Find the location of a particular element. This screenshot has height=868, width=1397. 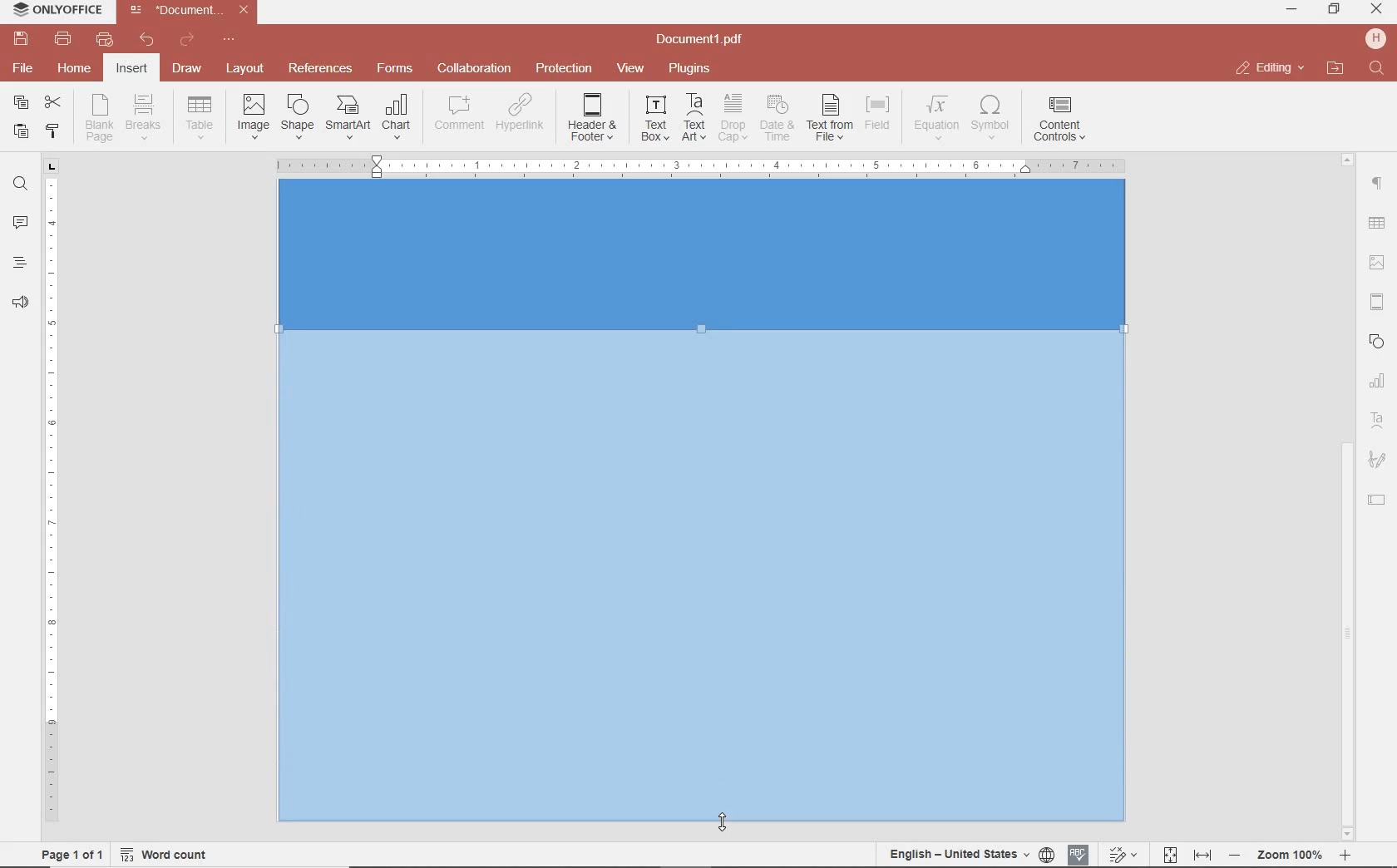

minimize is located at coordinates (1293, 9).